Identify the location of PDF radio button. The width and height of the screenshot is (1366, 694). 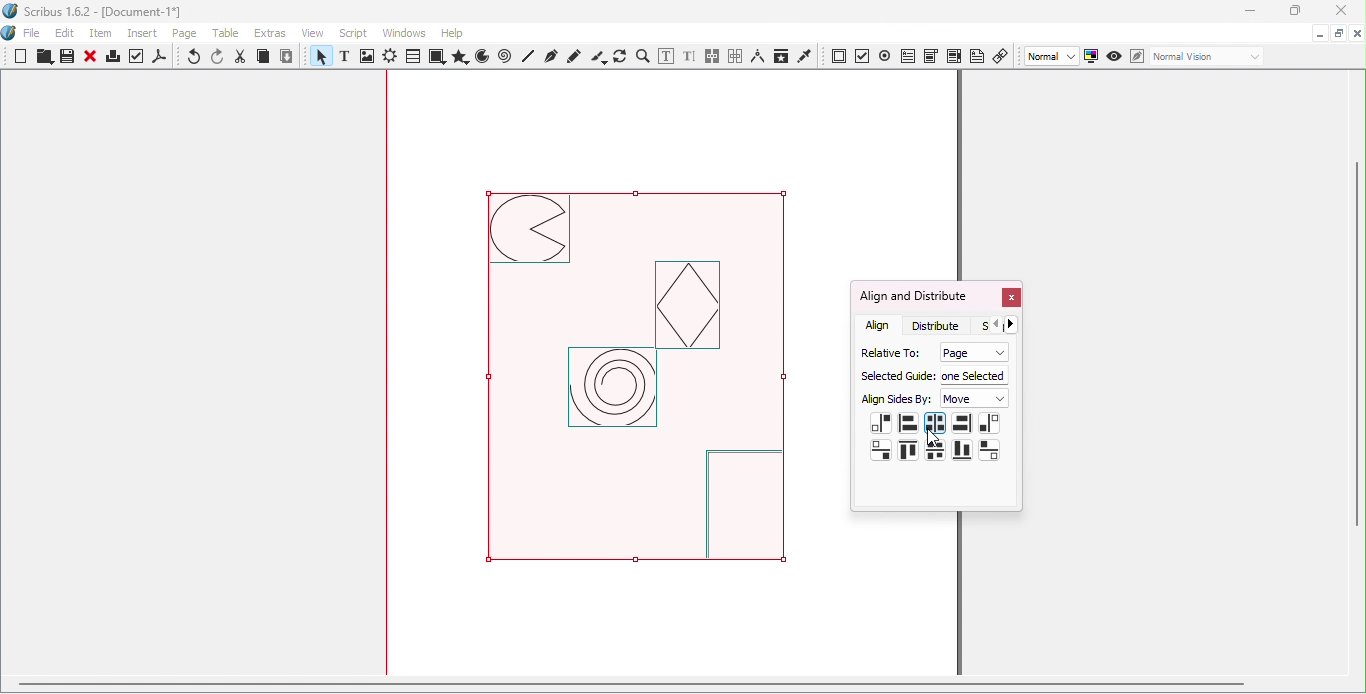
(885, 55).